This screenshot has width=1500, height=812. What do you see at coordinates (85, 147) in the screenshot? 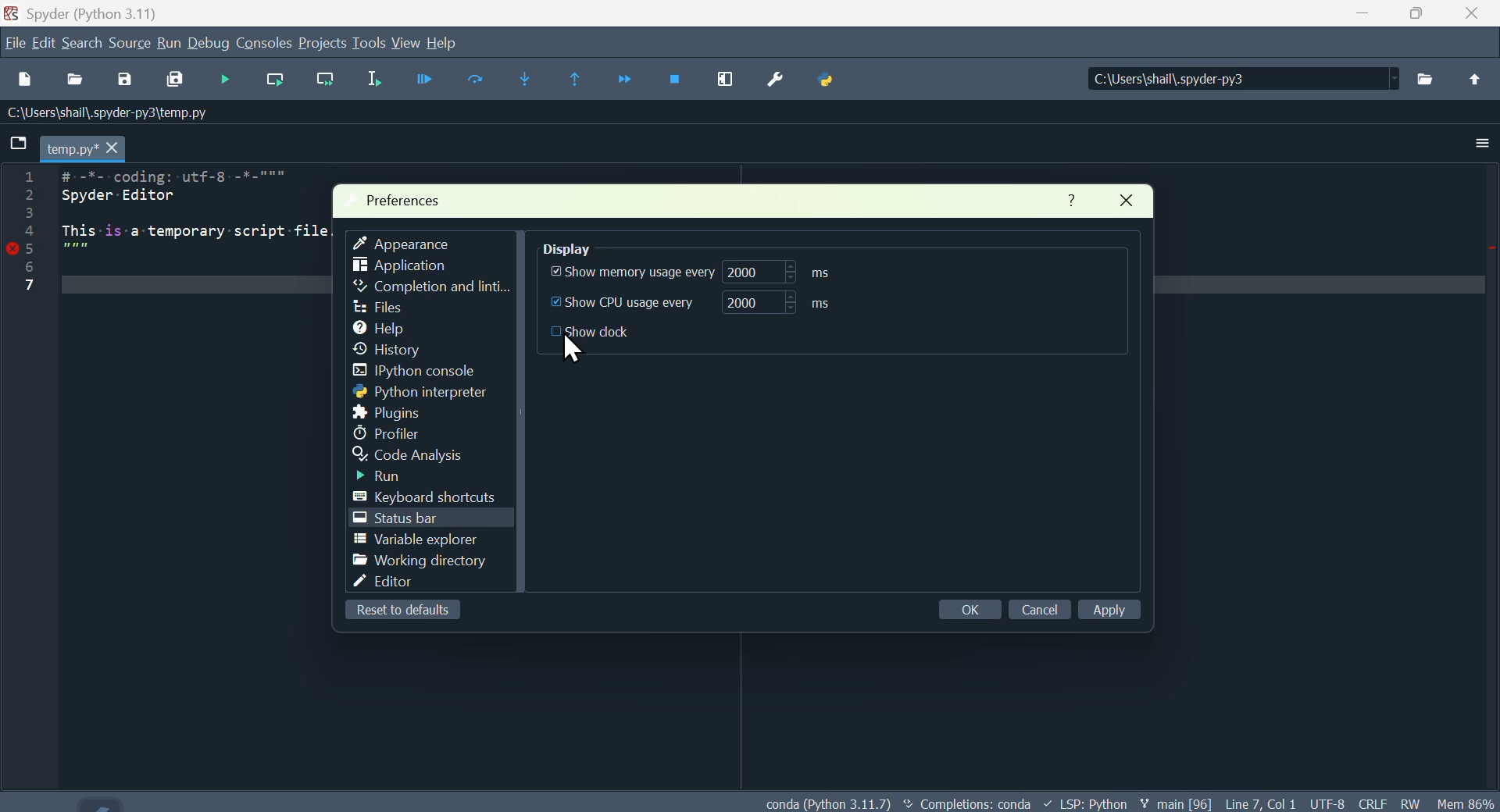
I see ` temp.py*` at bounding box center [85, 147].